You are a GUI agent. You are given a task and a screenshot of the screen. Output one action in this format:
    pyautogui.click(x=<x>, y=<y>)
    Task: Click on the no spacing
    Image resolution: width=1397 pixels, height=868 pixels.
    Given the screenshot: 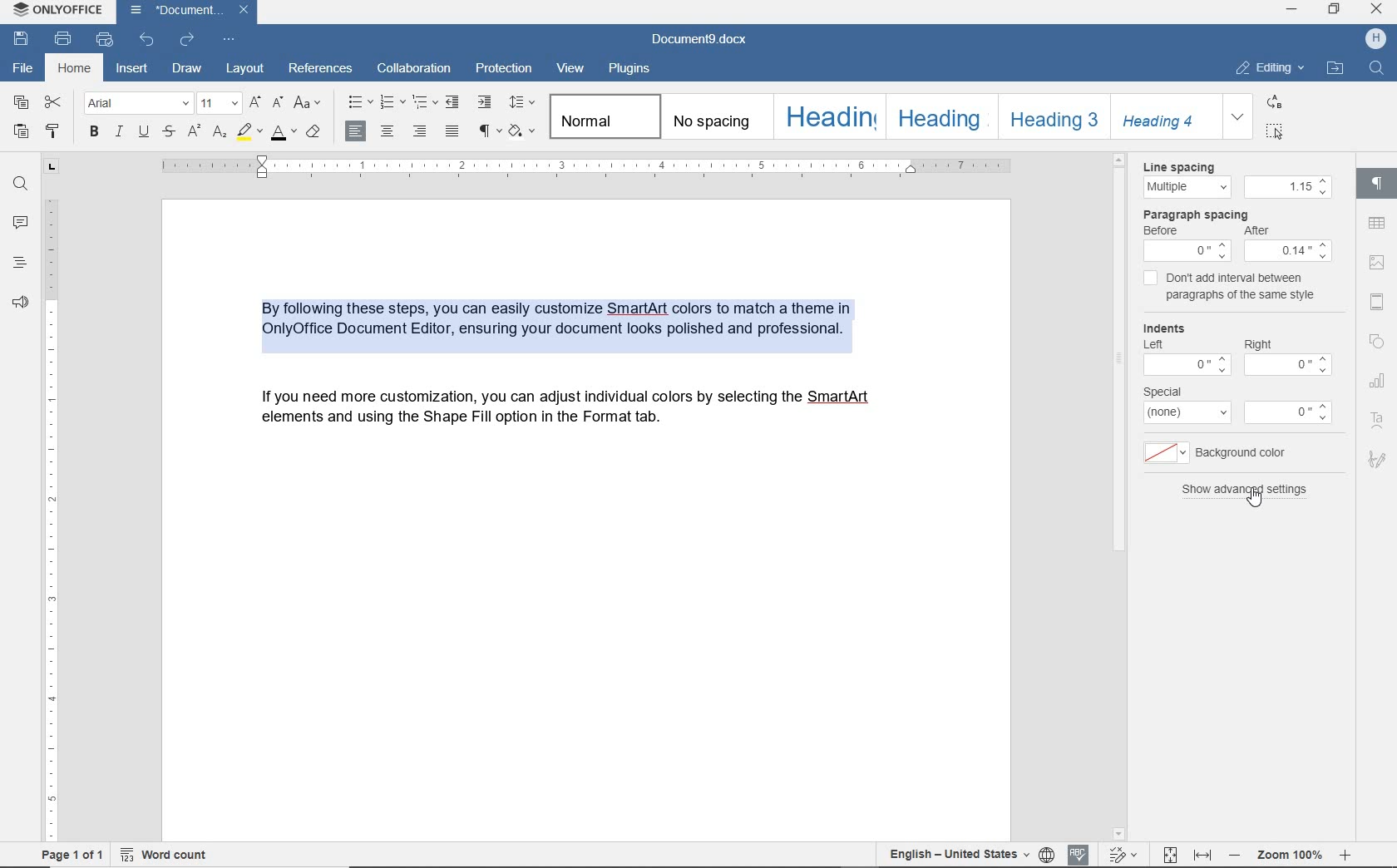 What is the action you would take?
    pyautogui.click(x=713, y=118)
    